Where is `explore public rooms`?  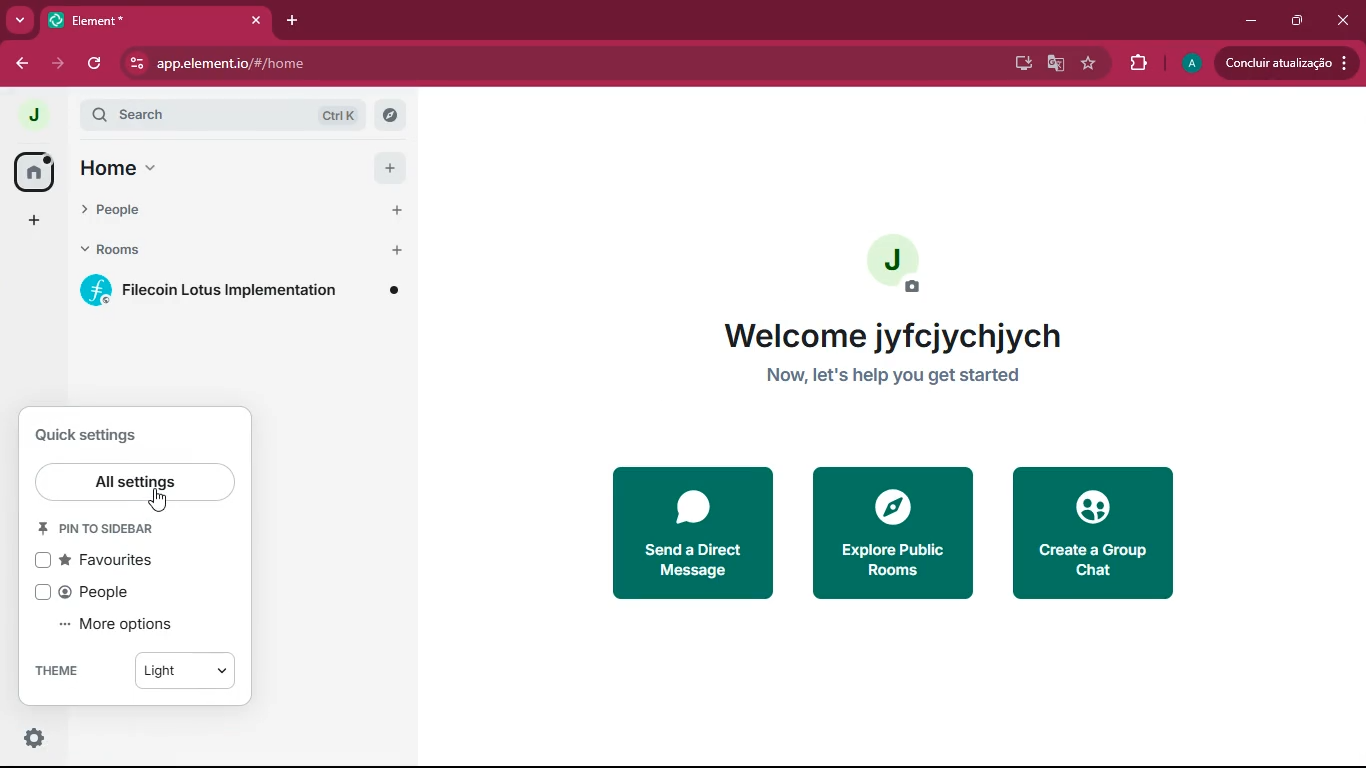 explore public rooms is located at coordinates (889, 532).